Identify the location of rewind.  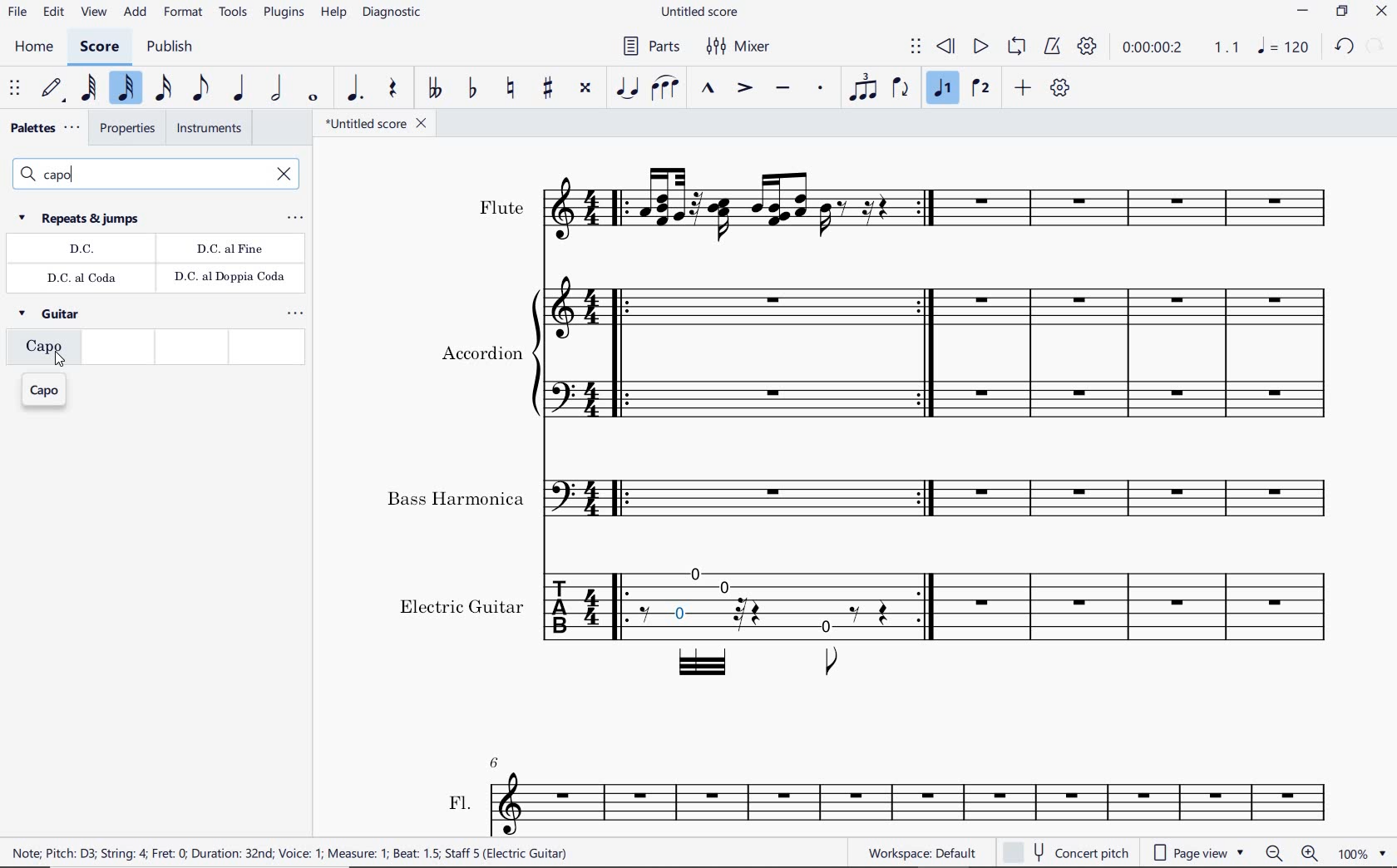
(947, 47).